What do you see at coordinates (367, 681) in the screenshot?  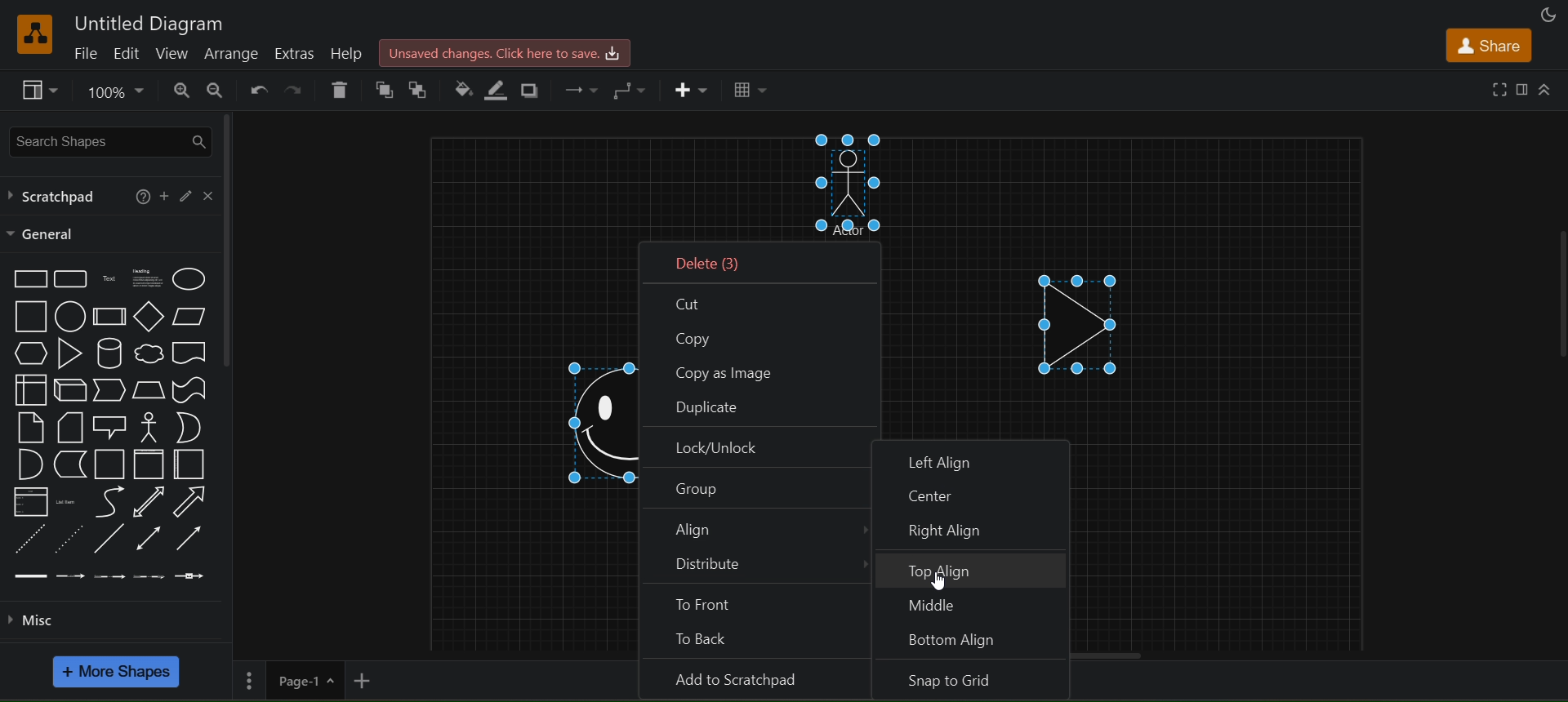 I see `add new page` at bounding box center [367, 681].